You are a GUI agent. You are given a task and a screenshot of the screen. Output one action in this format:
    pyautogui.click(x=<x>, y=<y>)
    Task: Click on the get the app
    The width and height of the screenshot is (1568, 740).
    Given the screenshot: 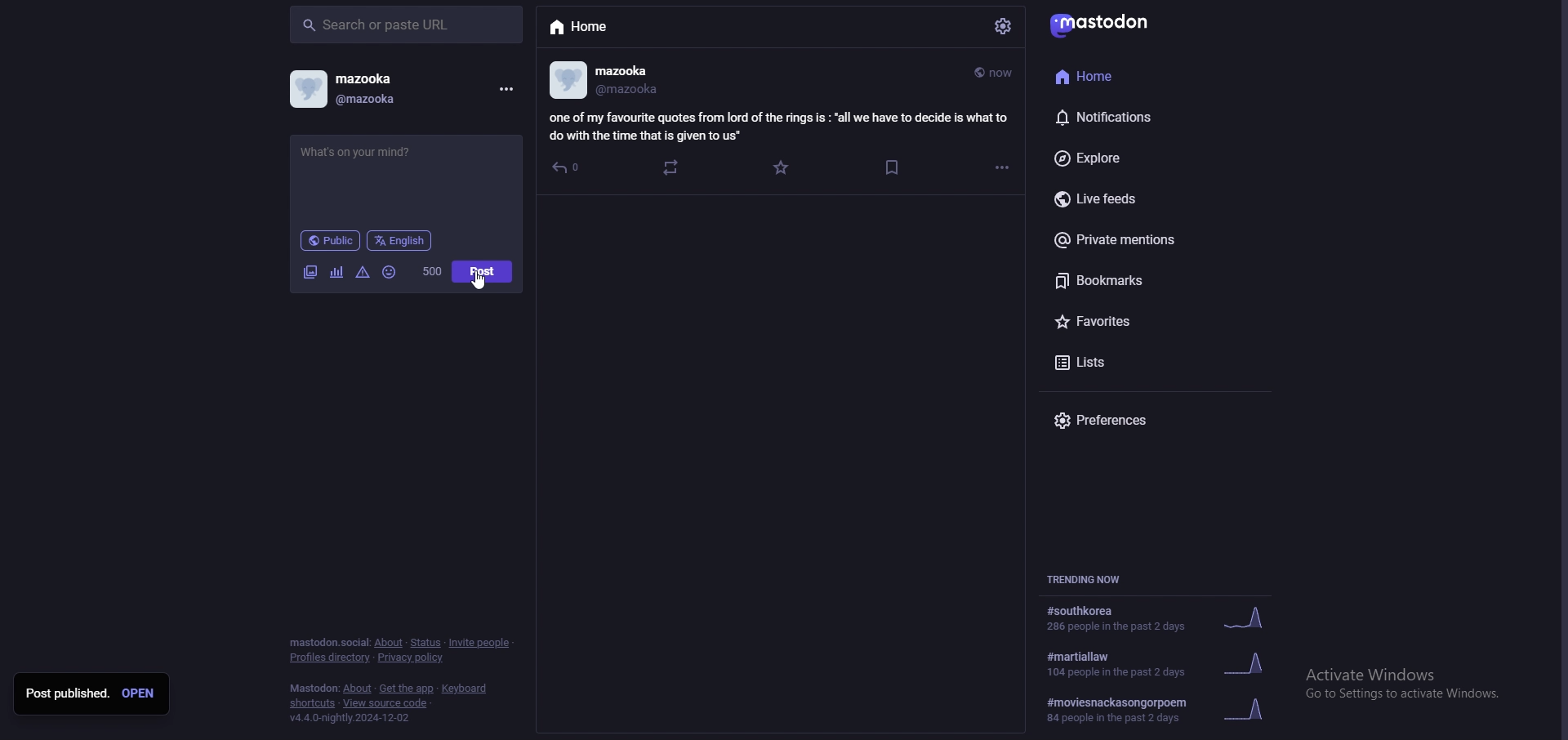 What is the action you would take?
    pyautogui.click(x=408, y=689)
    